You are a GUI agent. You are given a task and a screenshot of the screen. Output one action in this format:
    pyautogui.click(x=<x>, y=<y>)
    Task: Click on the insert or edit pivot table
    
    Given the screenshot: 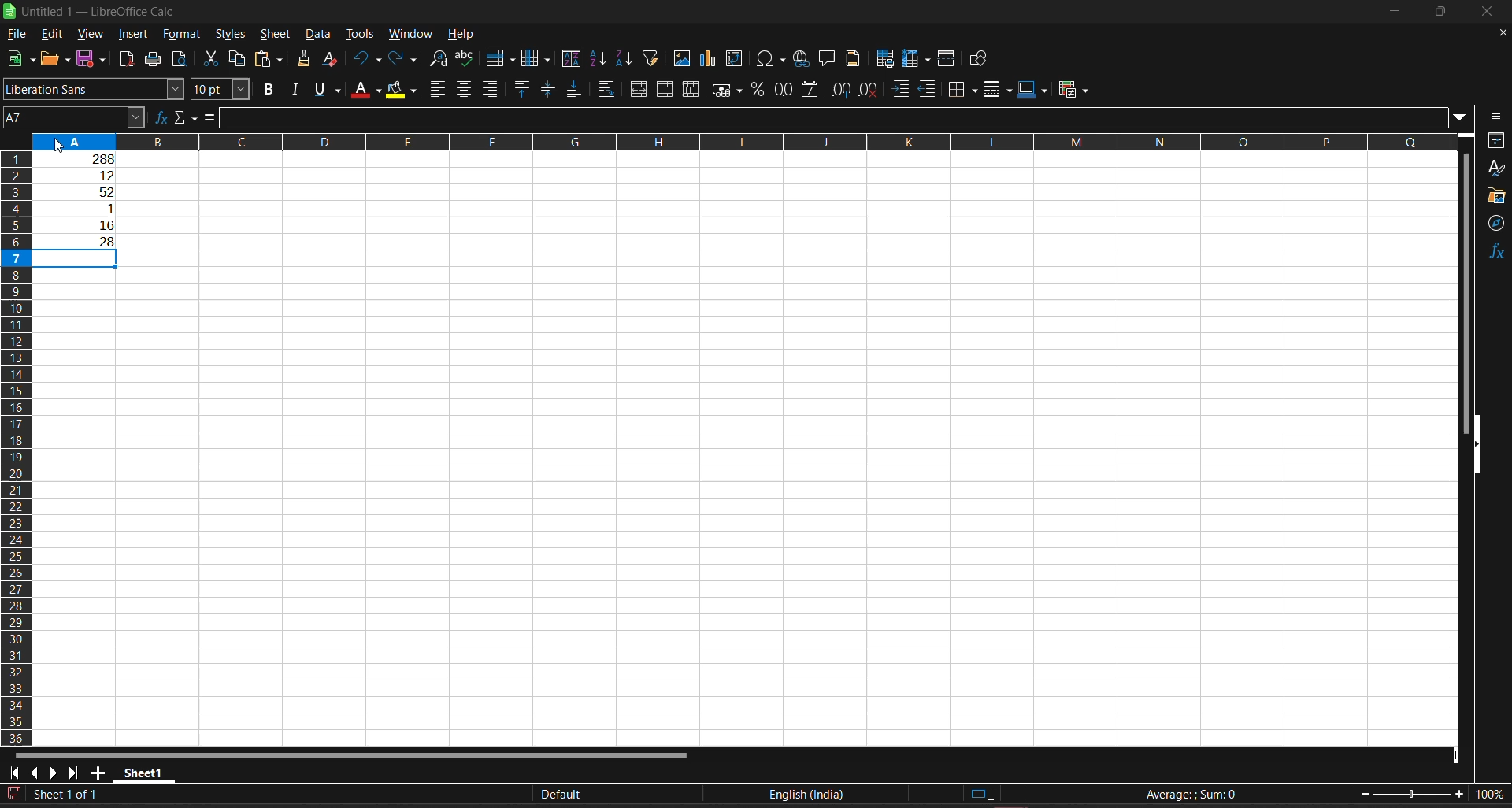 What is the action you would take?
    pyautogui.click(x=735, y=59)
    